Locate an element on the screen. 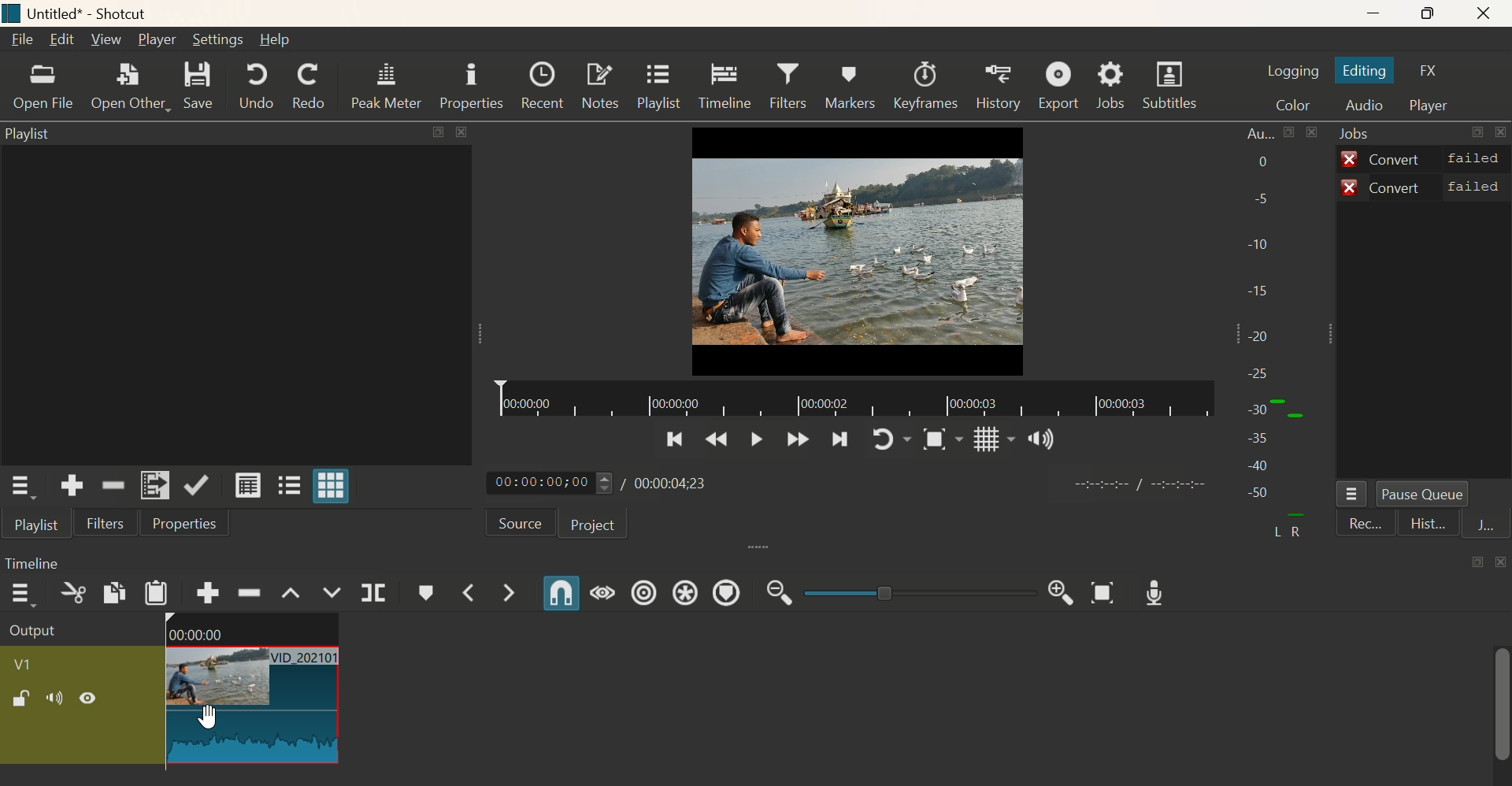 This screenshot has width=1512, height=786. Add the soource to the playllisst is located at coordinates (75, 485).